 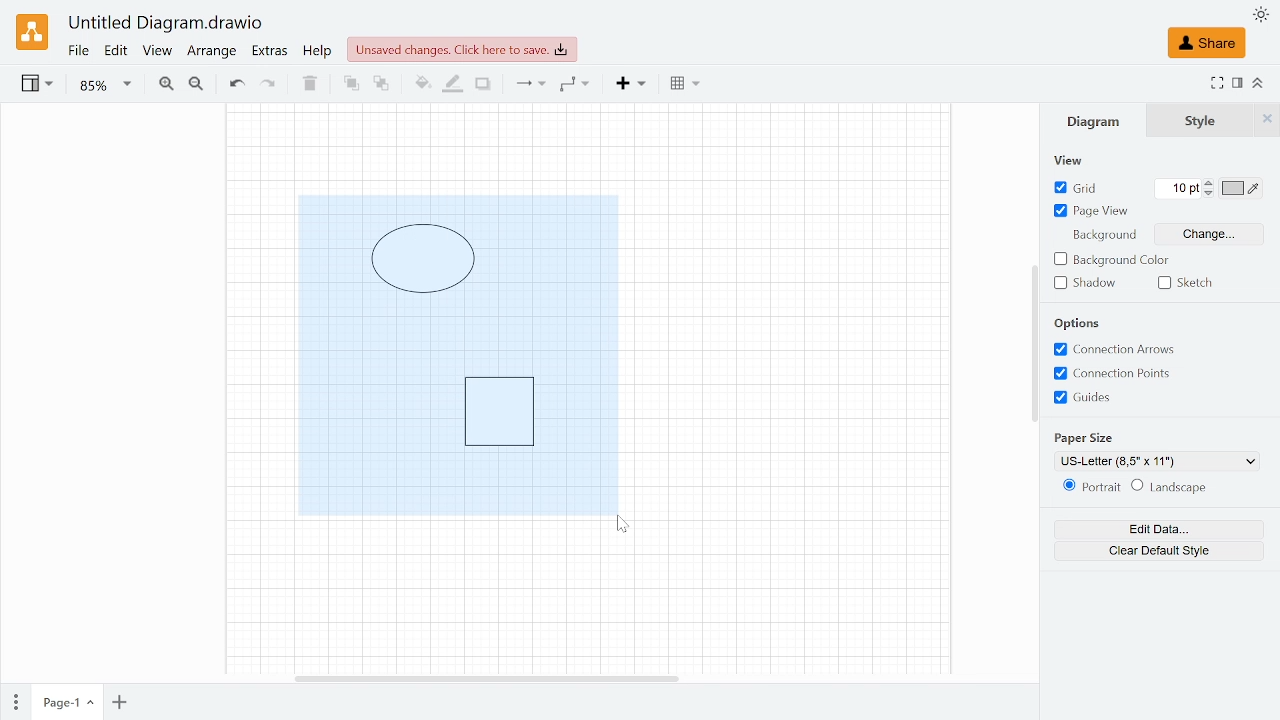 What do you see at coordinates (1159, 529) in the screenshot?
I see `Edit data` at bounding box center [1159, 529].